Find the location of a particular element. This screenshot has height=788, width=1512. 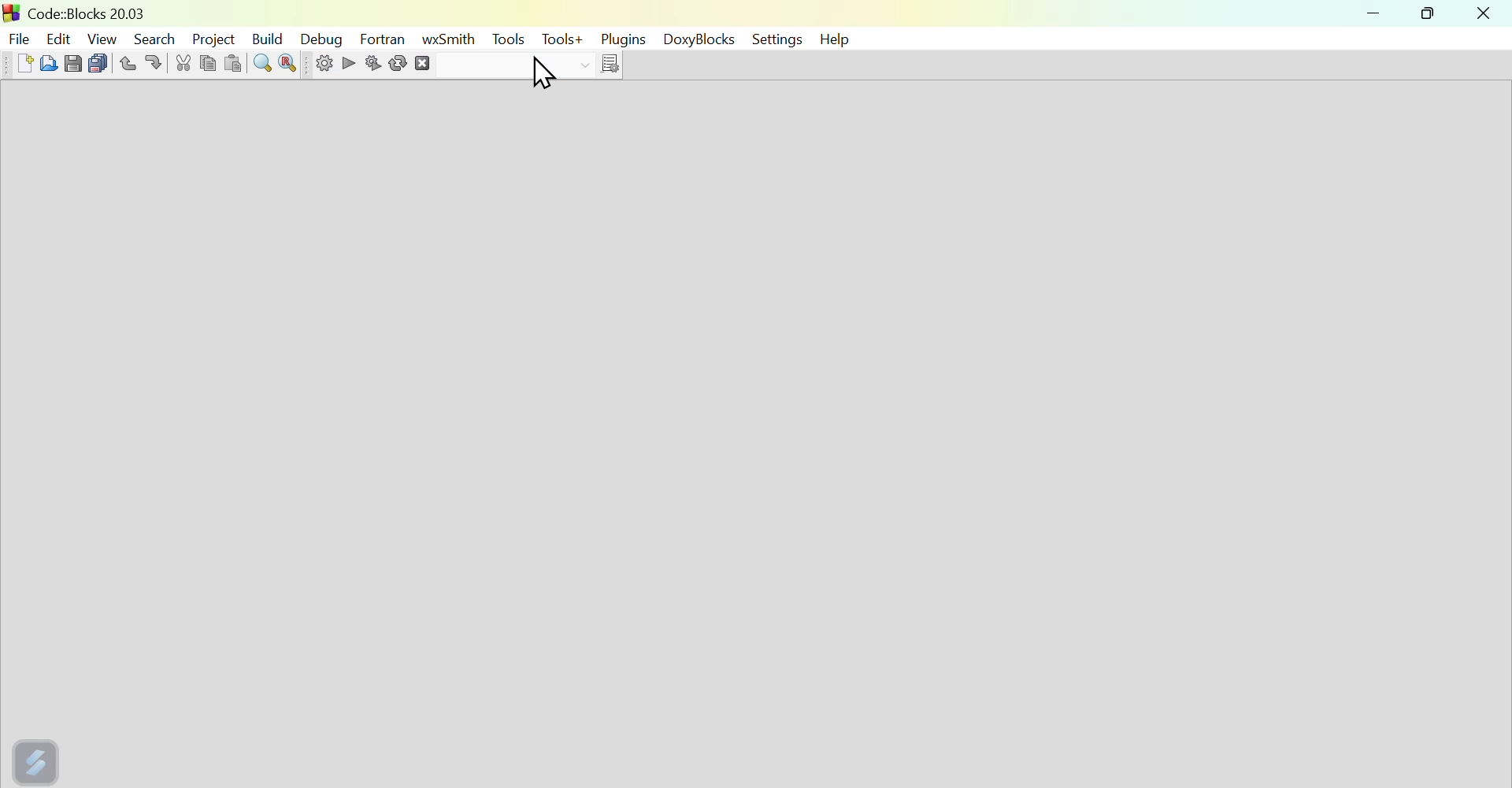

View is located at coordinates (103, 36).